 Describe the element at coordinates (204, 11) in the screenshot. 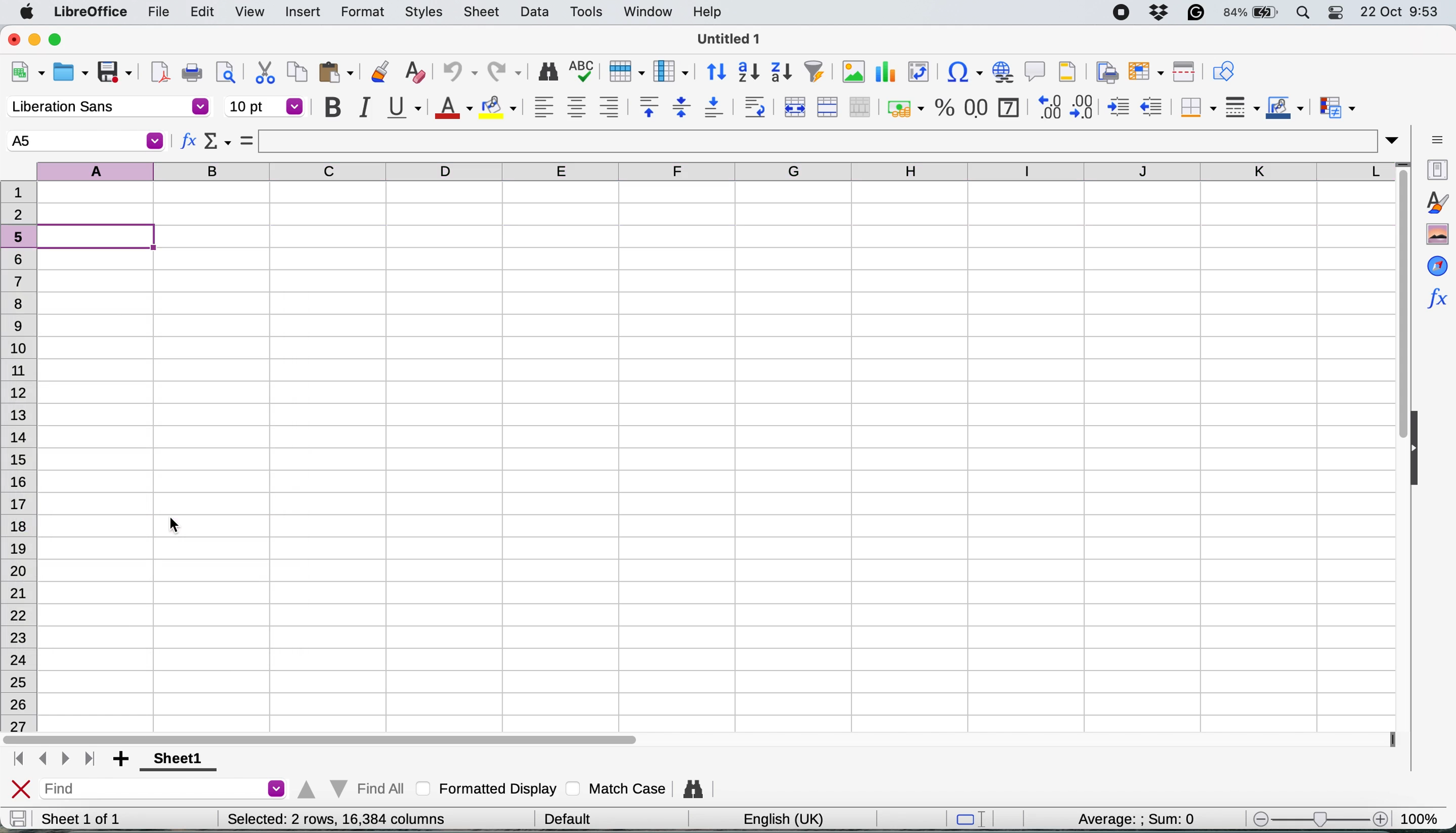

I see `edit` at that location.